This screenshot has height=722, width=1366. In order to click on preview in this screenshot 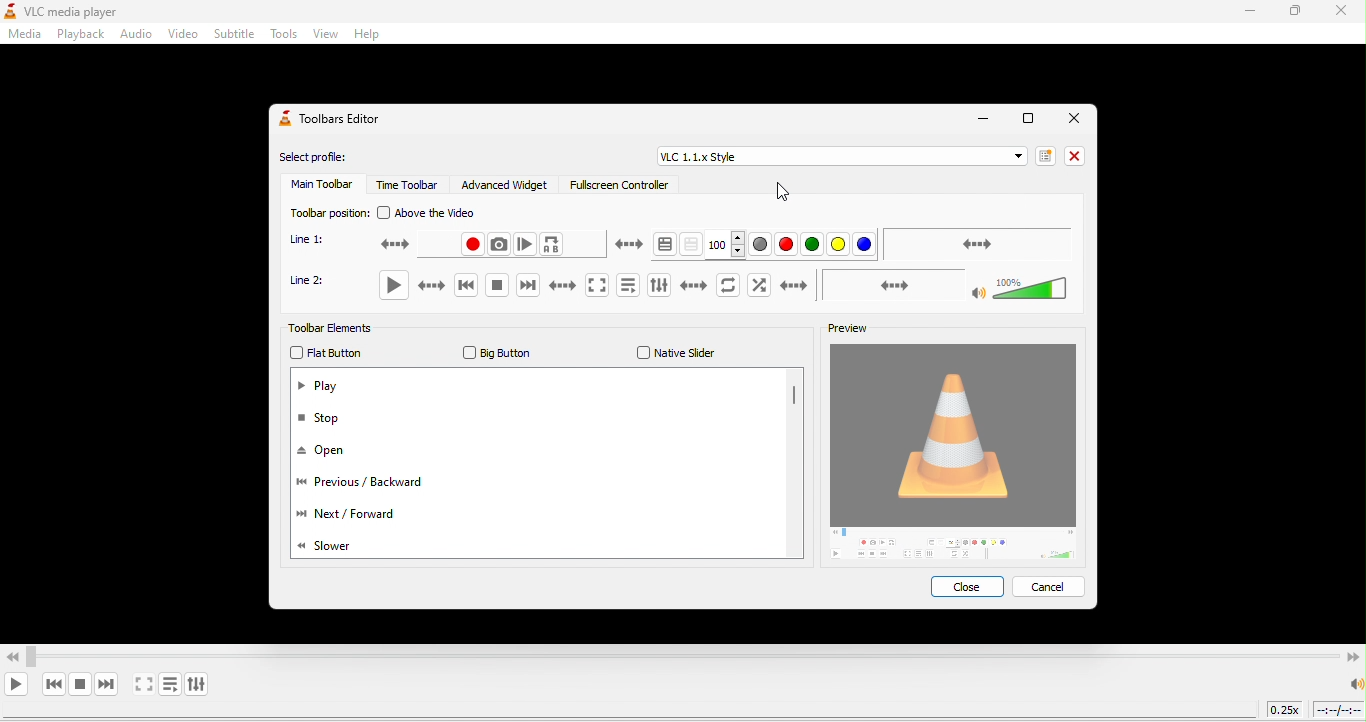, I will do `click(841, 330)`.